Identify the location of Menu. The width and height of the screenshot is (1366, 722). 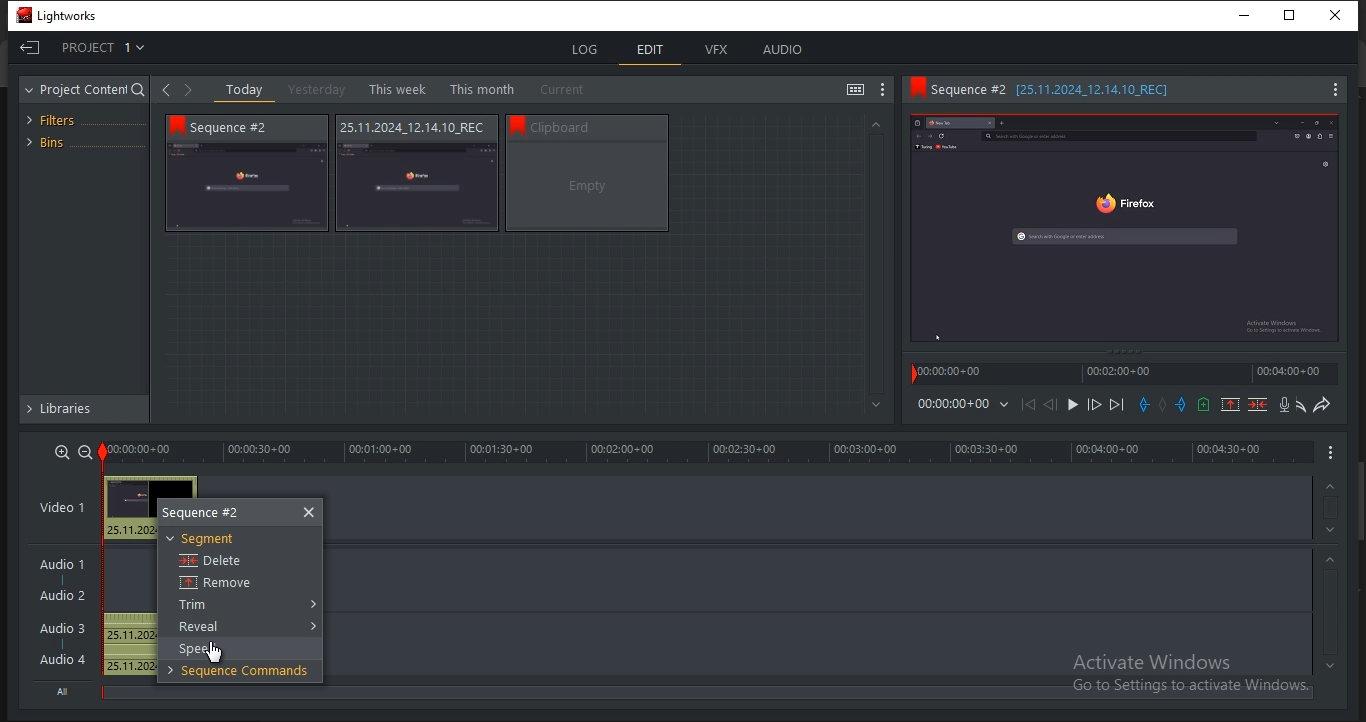
(1332, 453).